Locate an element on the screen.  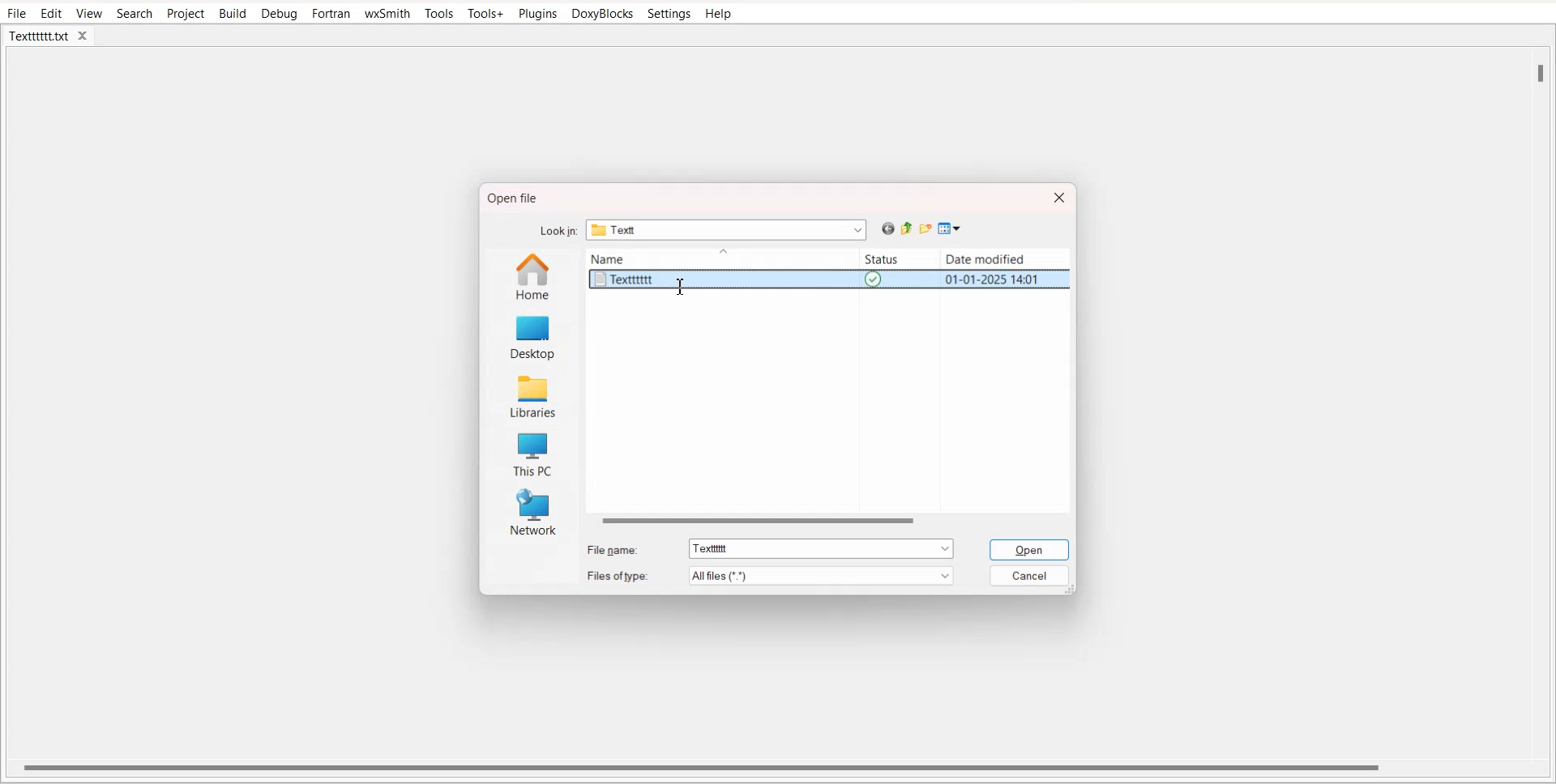
Help is located at coordinates (719, 14).